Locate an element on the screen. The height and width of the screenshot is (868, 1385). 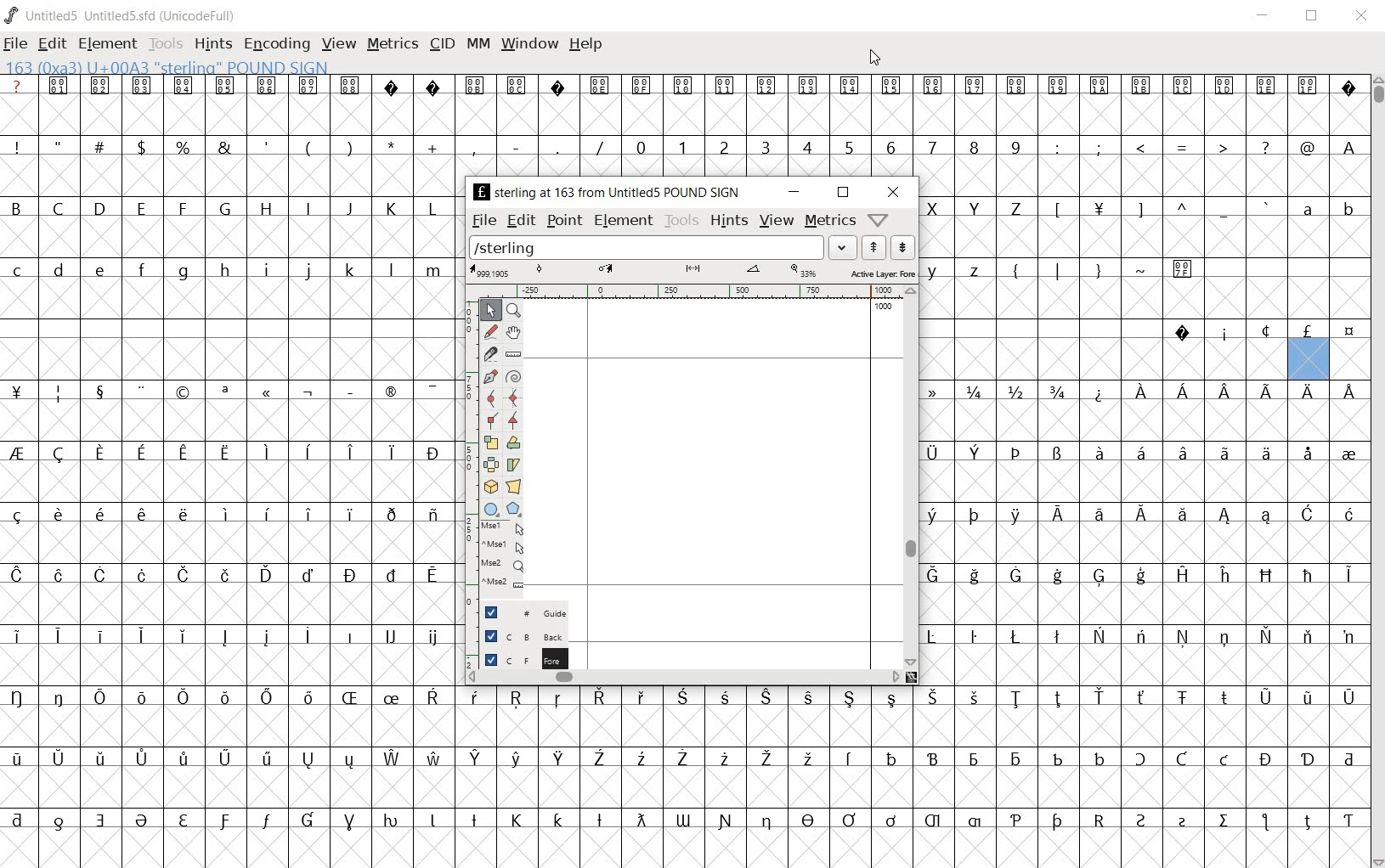
! is located at coordinates (21, 146).